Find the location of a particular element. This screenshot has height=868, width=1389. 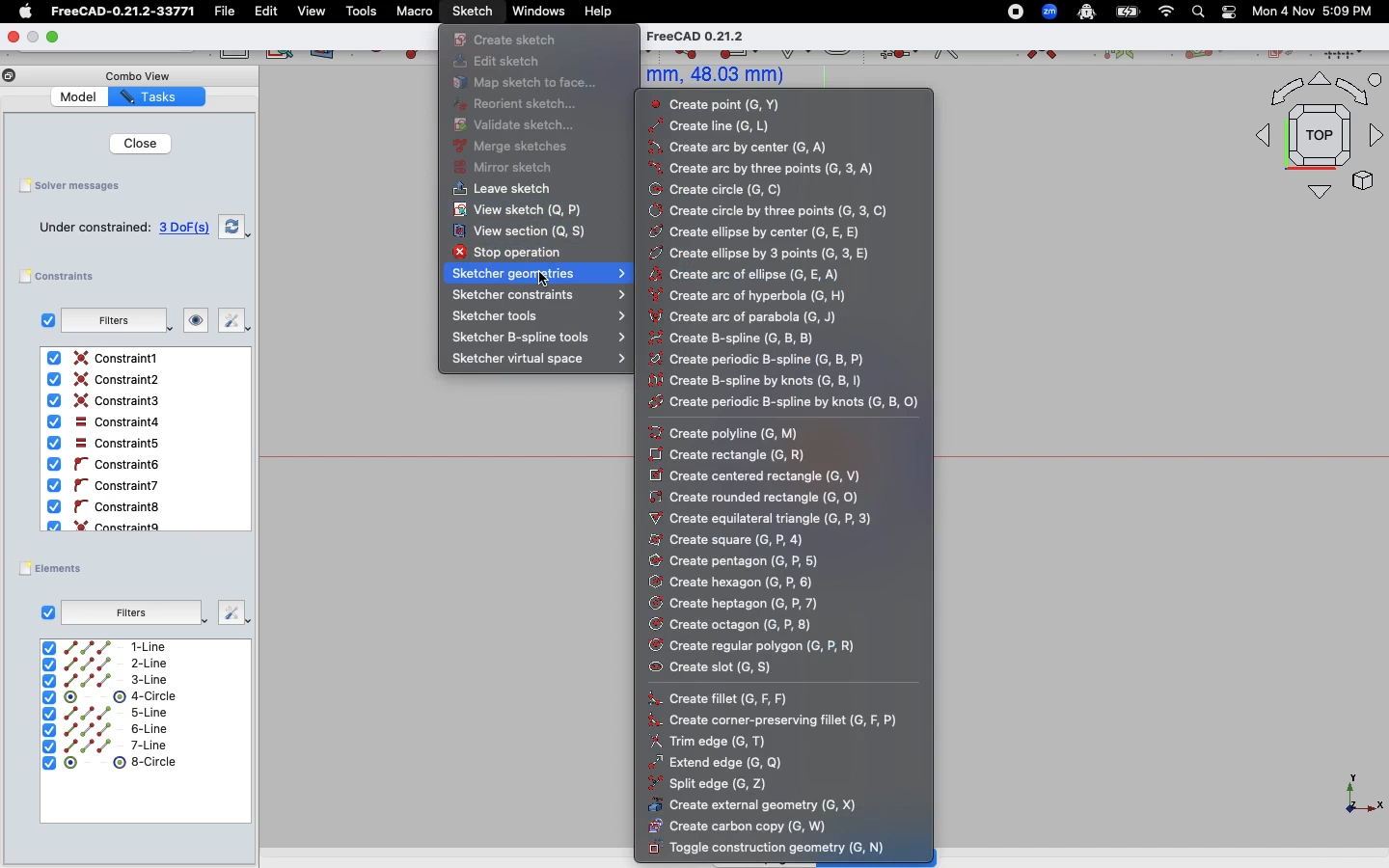

Create B-spline (G, B, B) is located at coordinates (757, 339).